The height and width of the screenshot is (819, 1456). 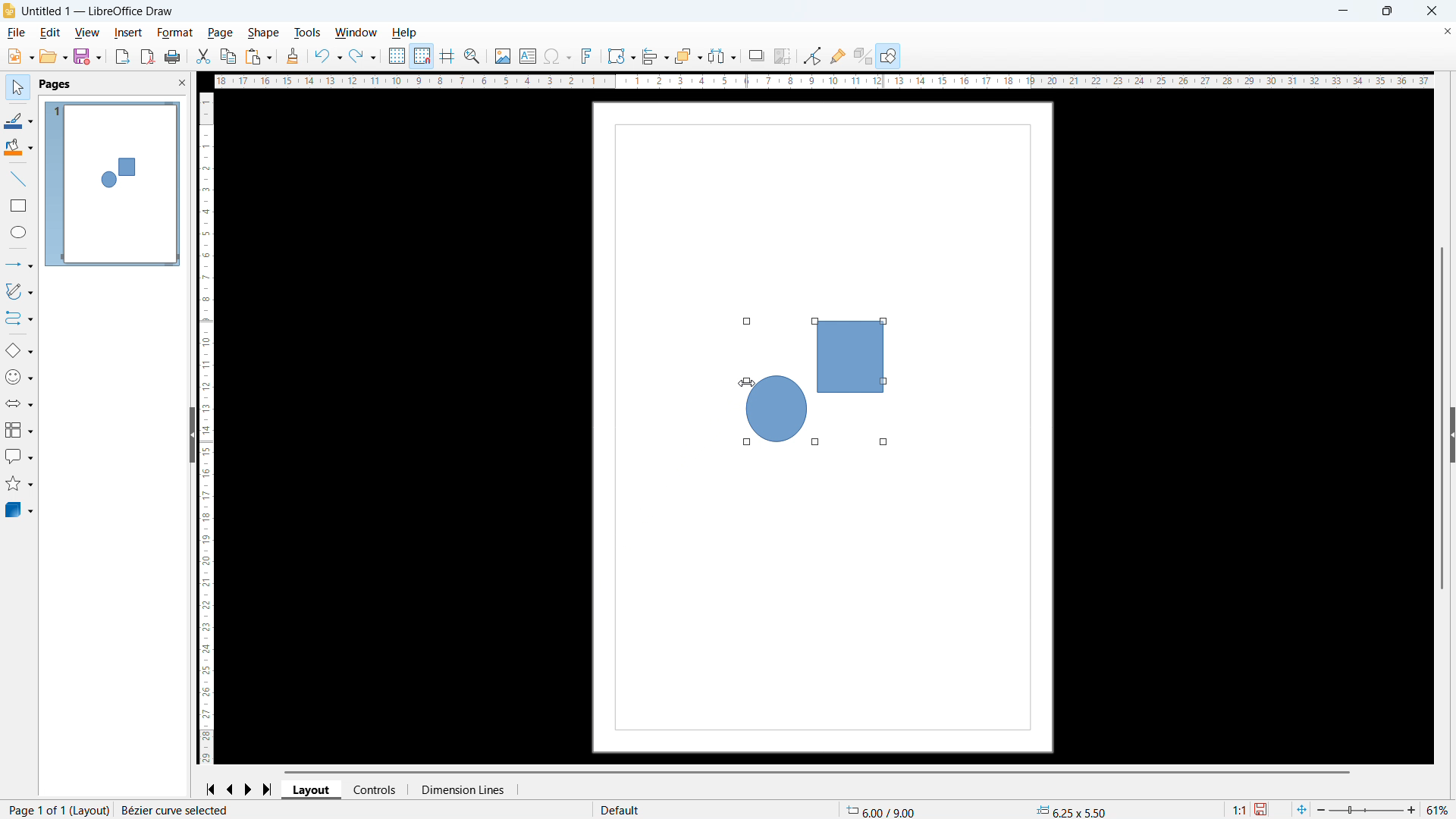 What do you see at coordinates (293, 56) in the screenshot?
I see `Clone formatting ` at bounding box center [293, 56].